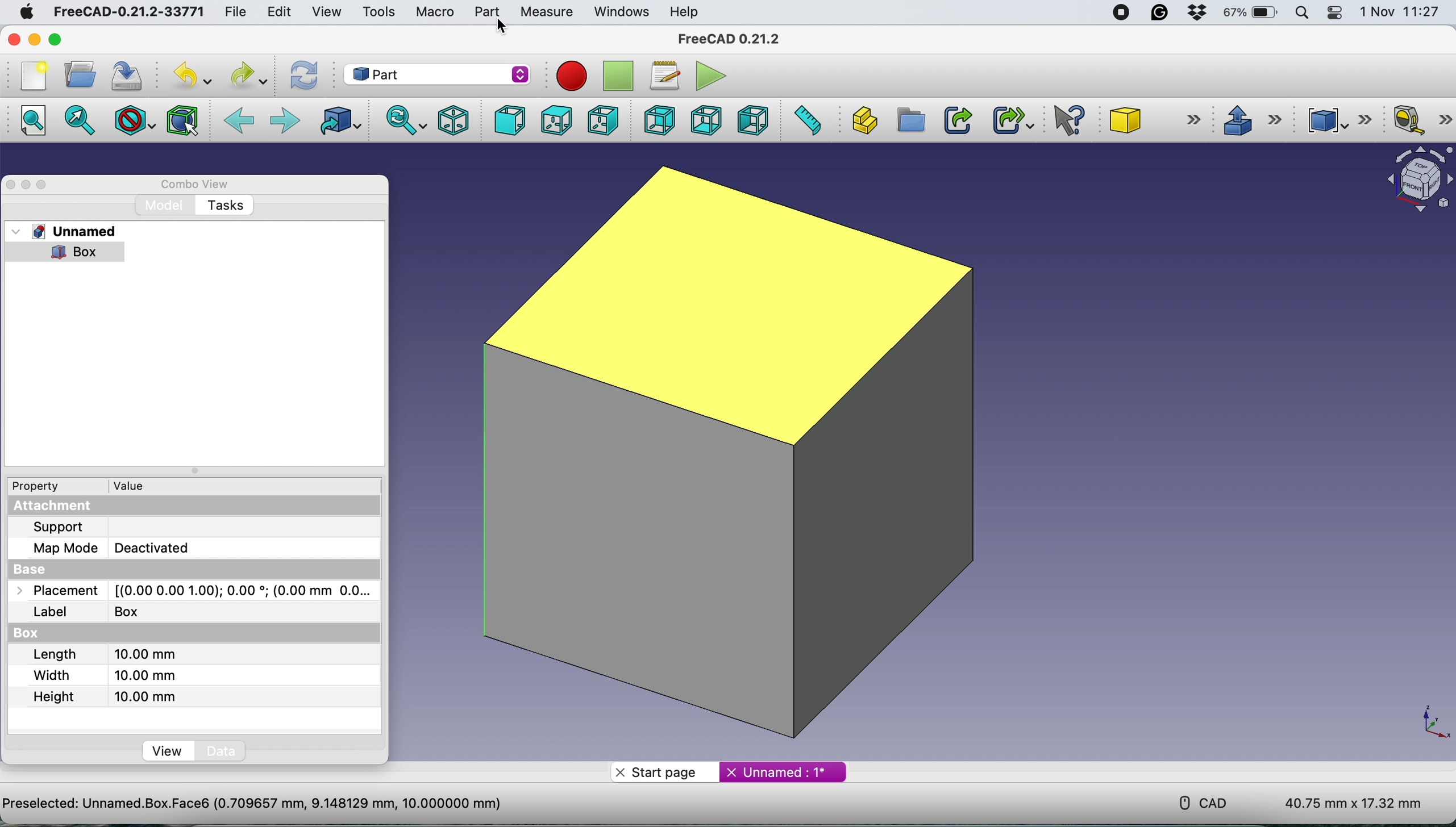 This screenshot has height=827, width=1456. I want to click on top, so click(555, 120).